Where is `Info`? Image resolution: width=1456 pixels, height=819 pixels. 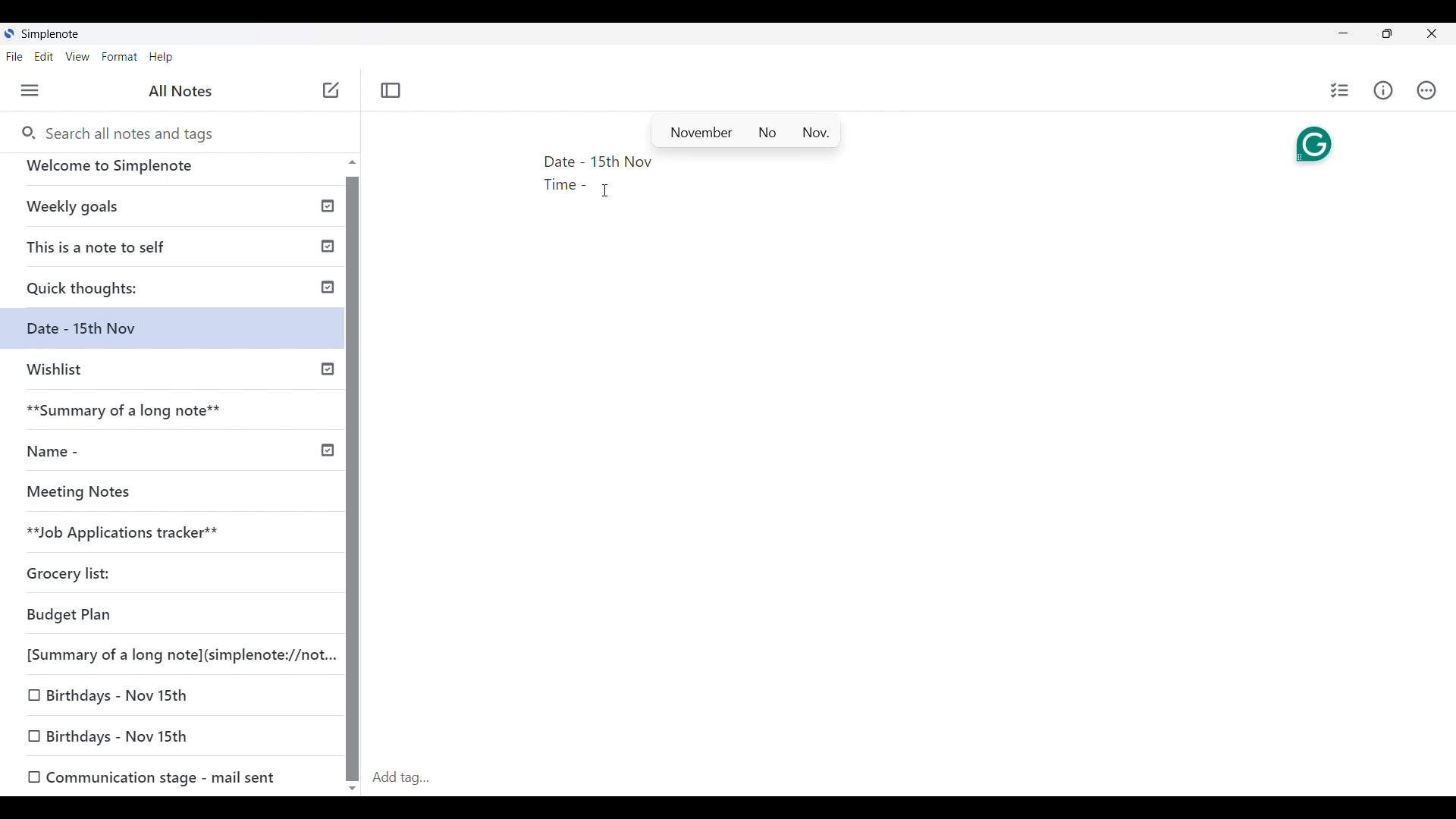 Info is located at coordinates (1383, 90).